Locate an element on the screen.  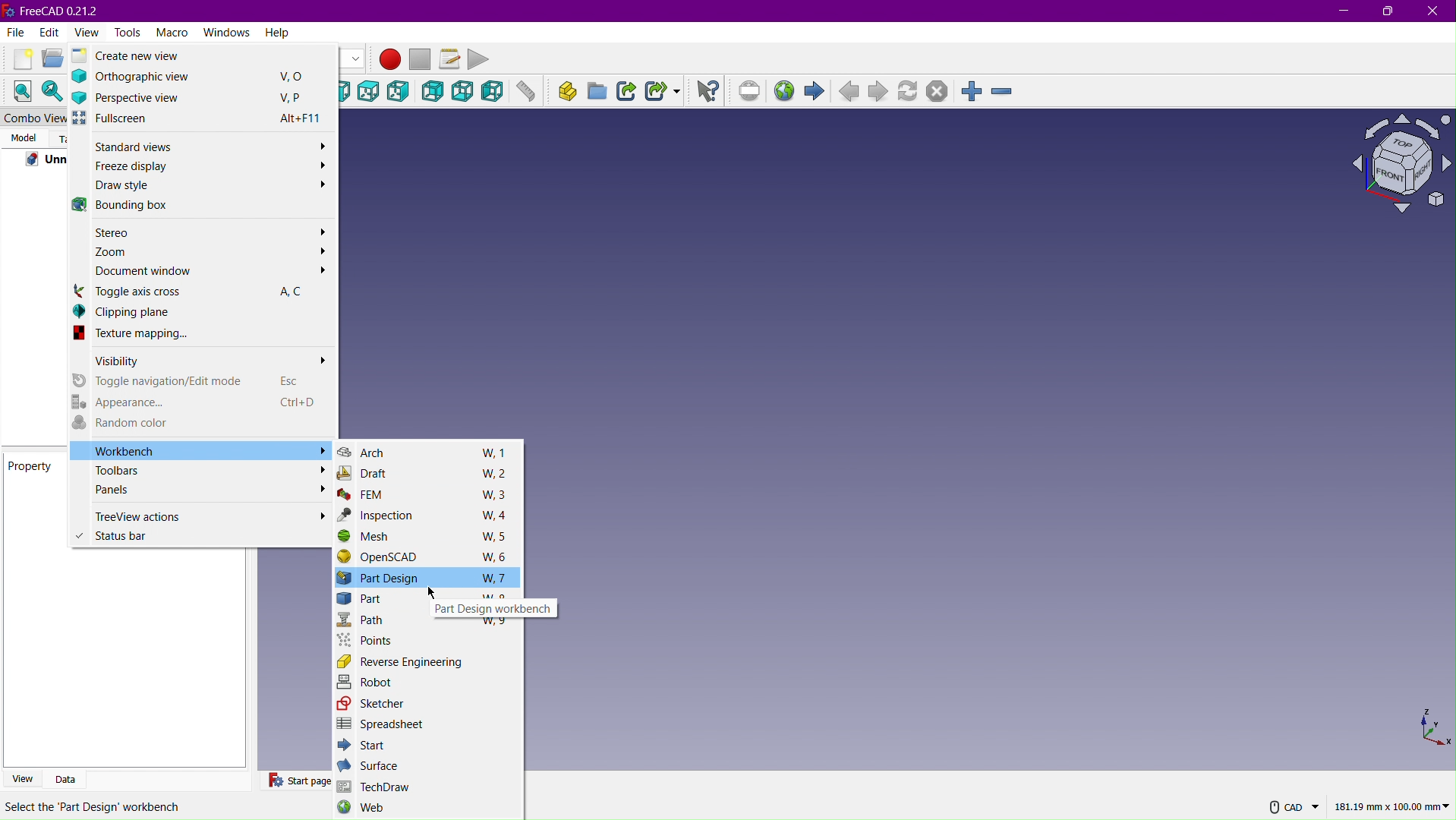
Inspection W, 4 is located at coordinates (430, 516).